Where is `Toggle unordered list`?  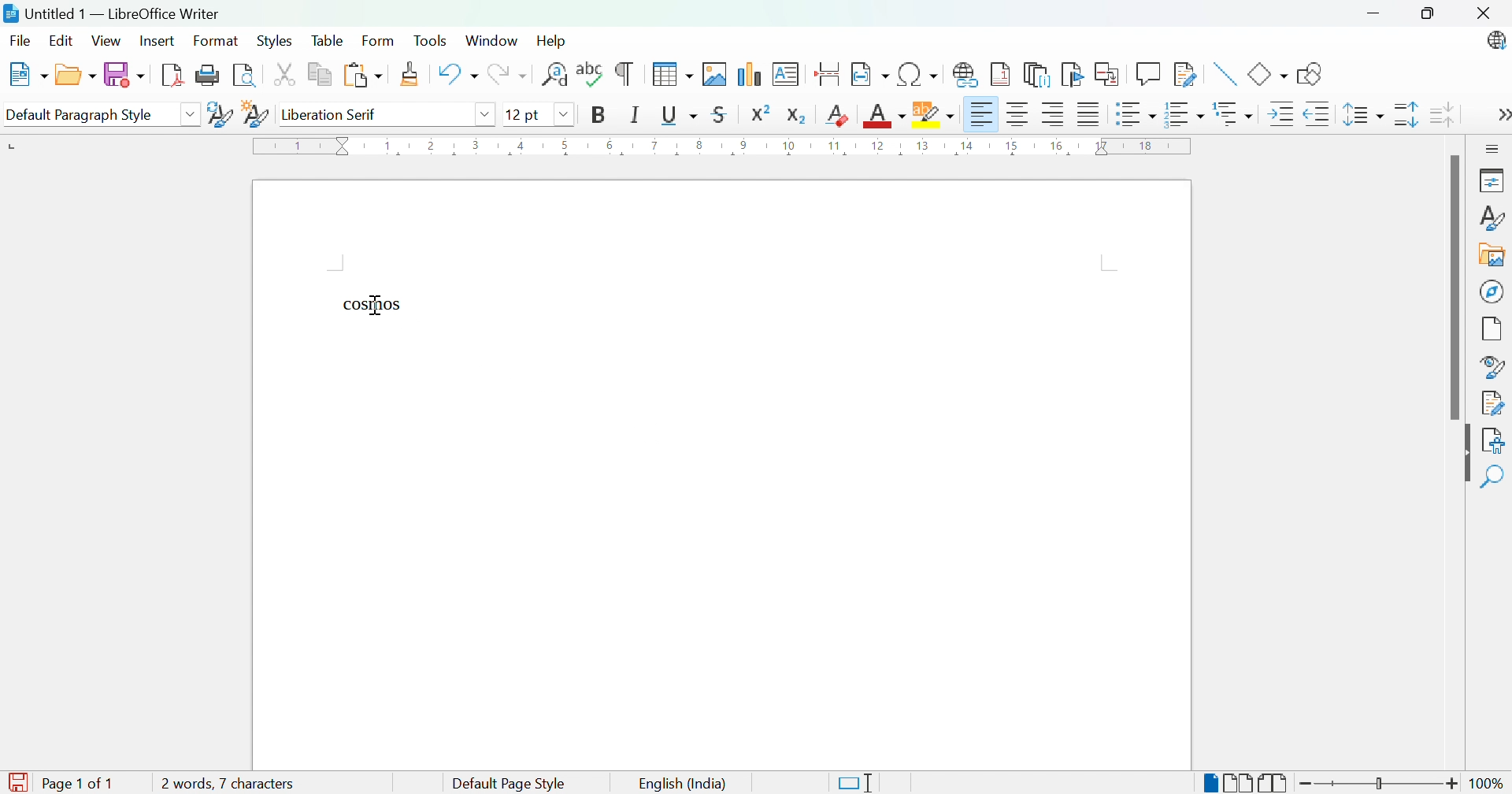 Toggle unordered list is located at coordinates (1135, 116).